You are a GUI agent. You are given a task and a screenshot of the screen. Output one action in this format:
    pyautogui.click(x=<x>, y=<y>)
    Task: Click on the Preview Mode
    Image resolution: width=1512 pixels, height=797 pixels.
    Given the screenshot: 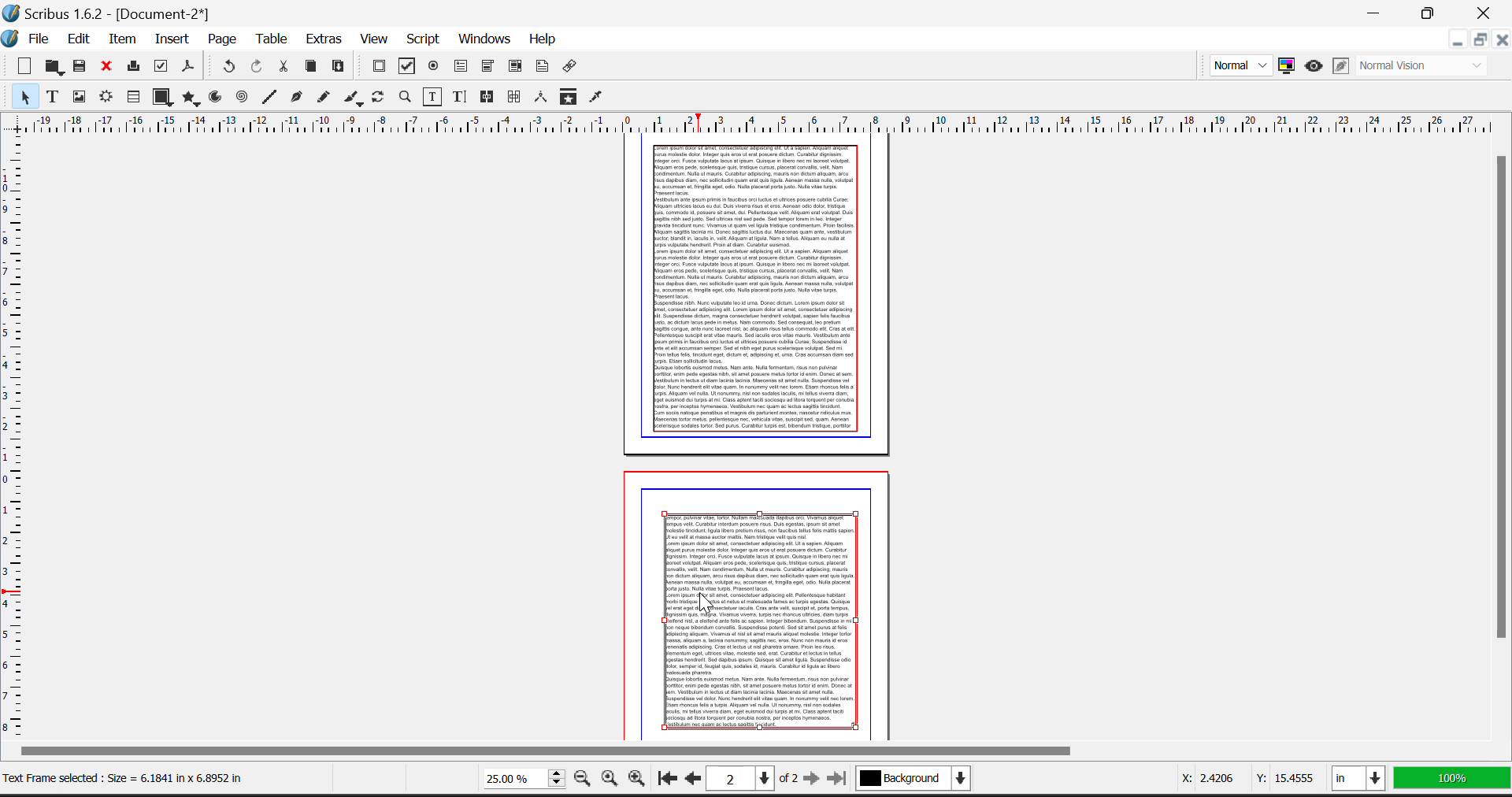 What is the action you would take?
    pyautogui.click(x=1313, y=66)
    